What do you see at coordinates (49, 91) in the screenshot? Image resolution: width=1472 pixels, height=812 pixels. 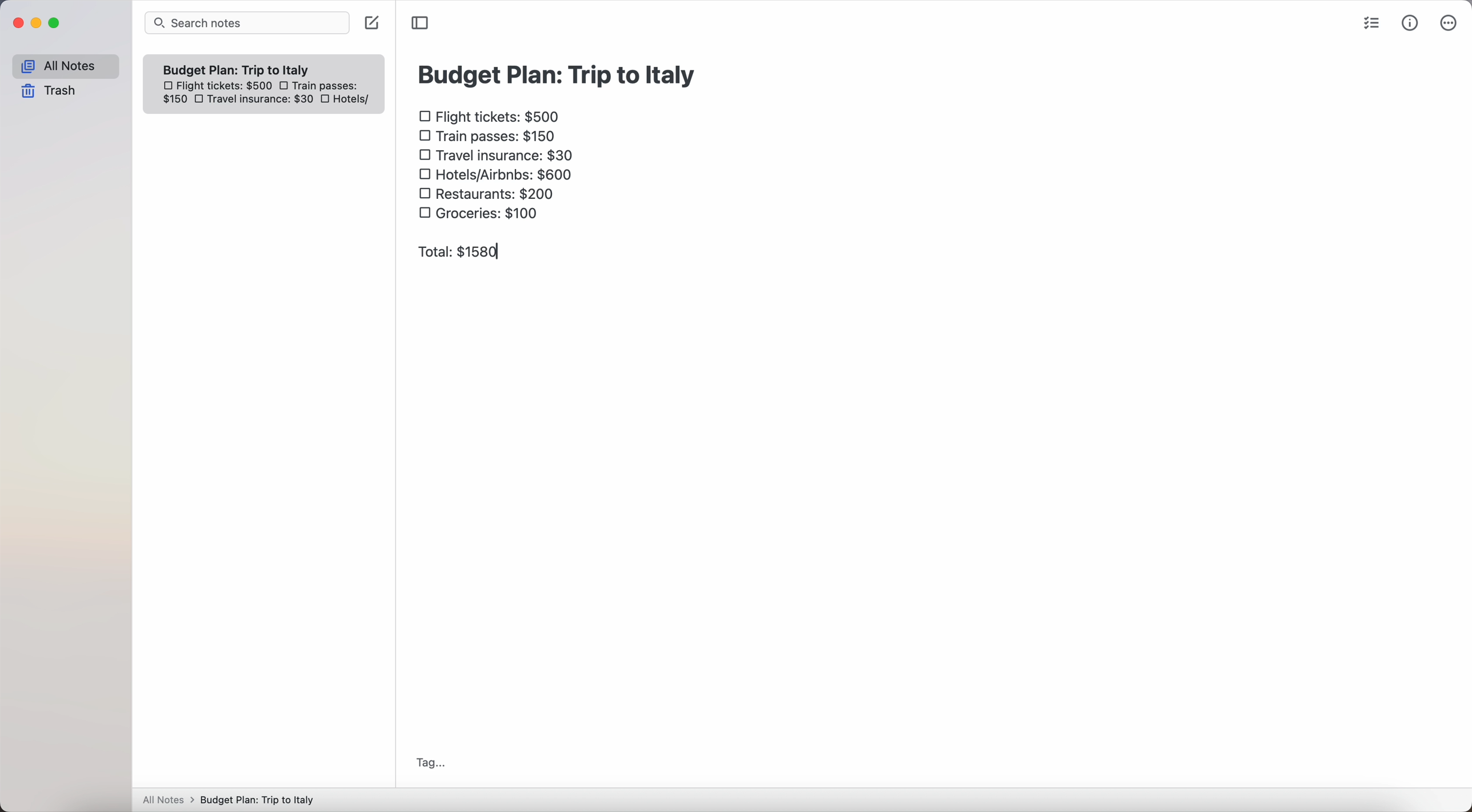 I see `trash` at bounding box center [49, 91].